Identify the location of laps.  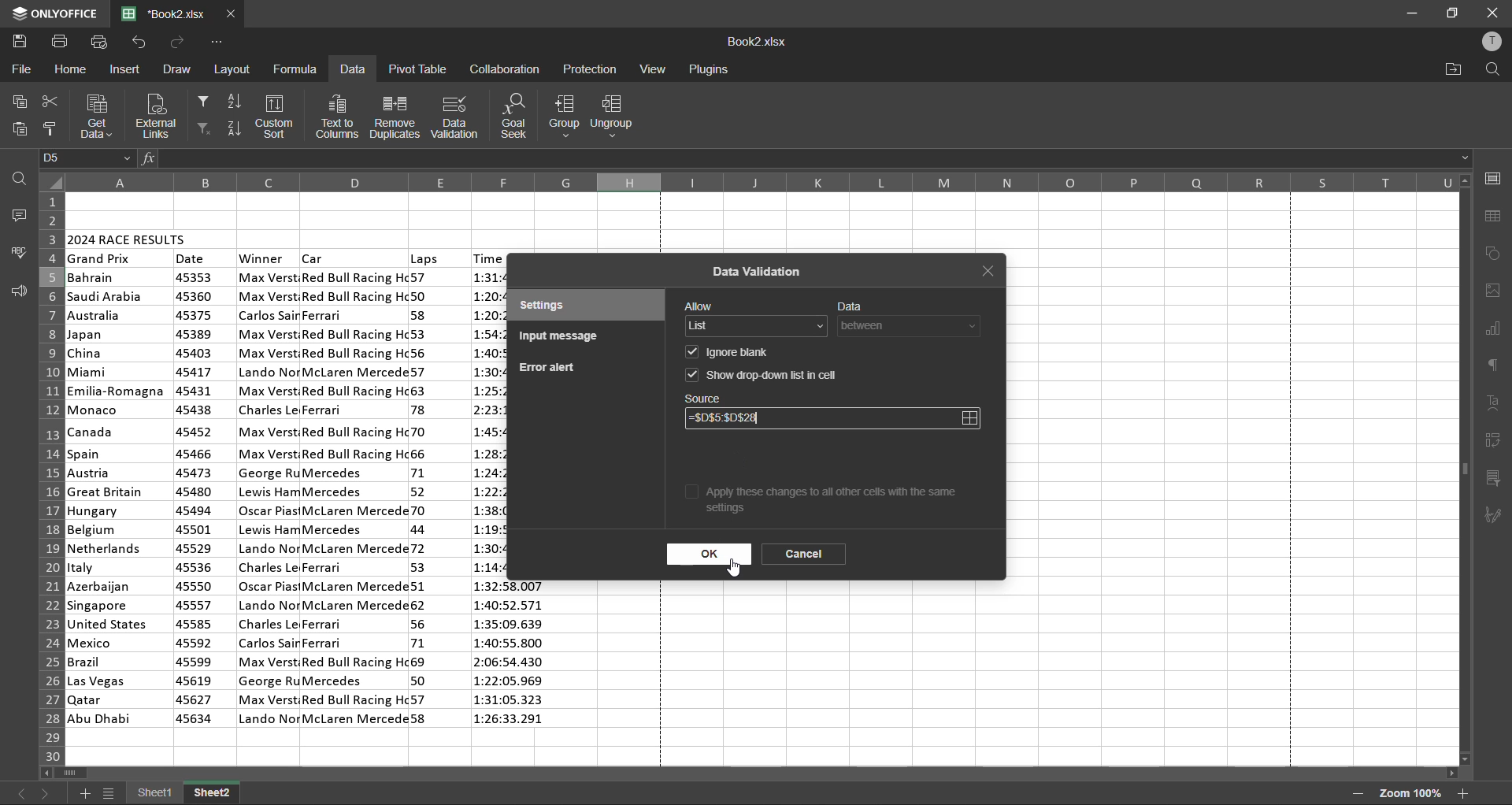
(424, 258).